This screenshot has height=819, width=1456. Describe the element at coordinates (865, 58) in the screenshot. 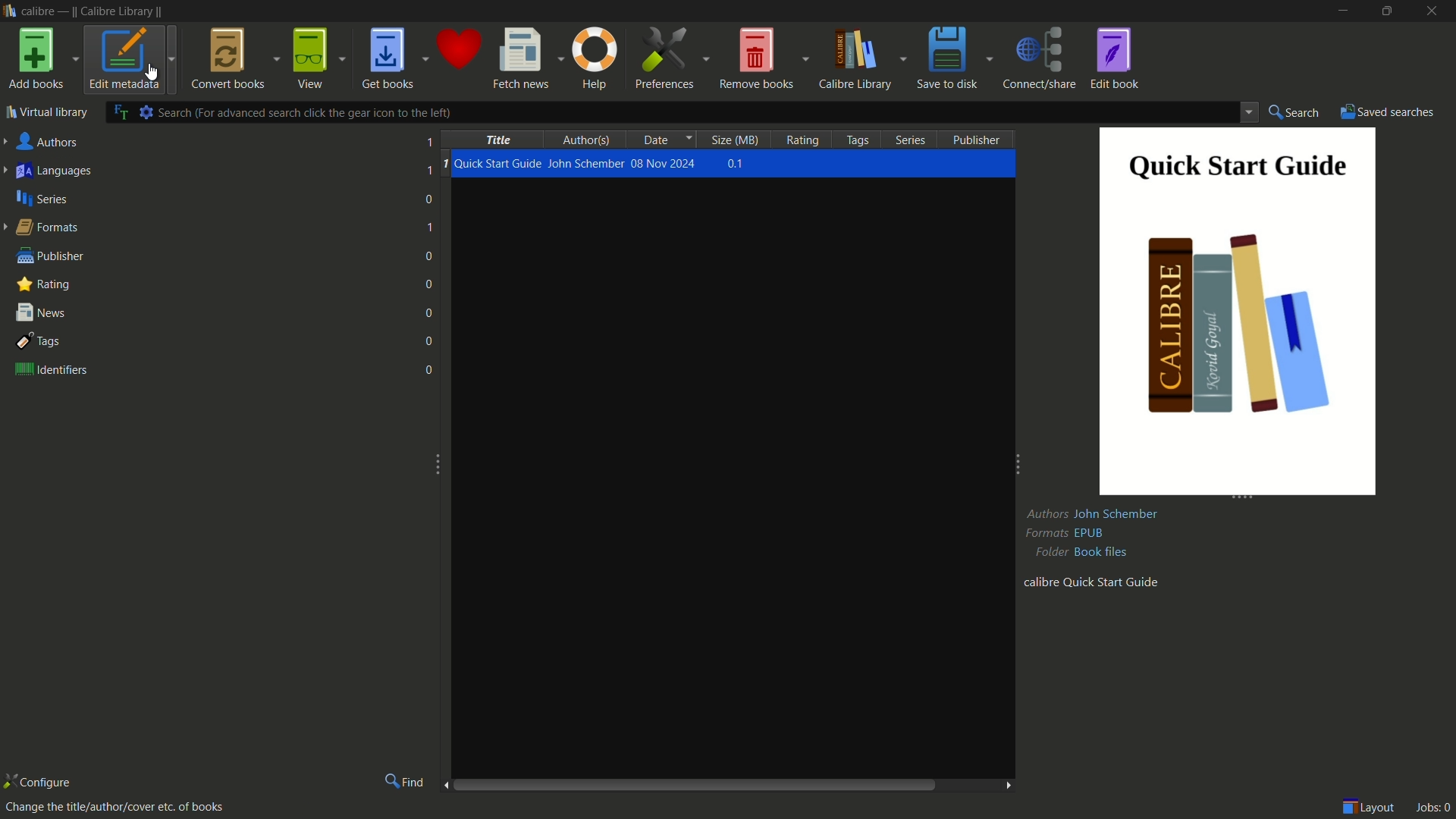

I see `calibre library` at that location.